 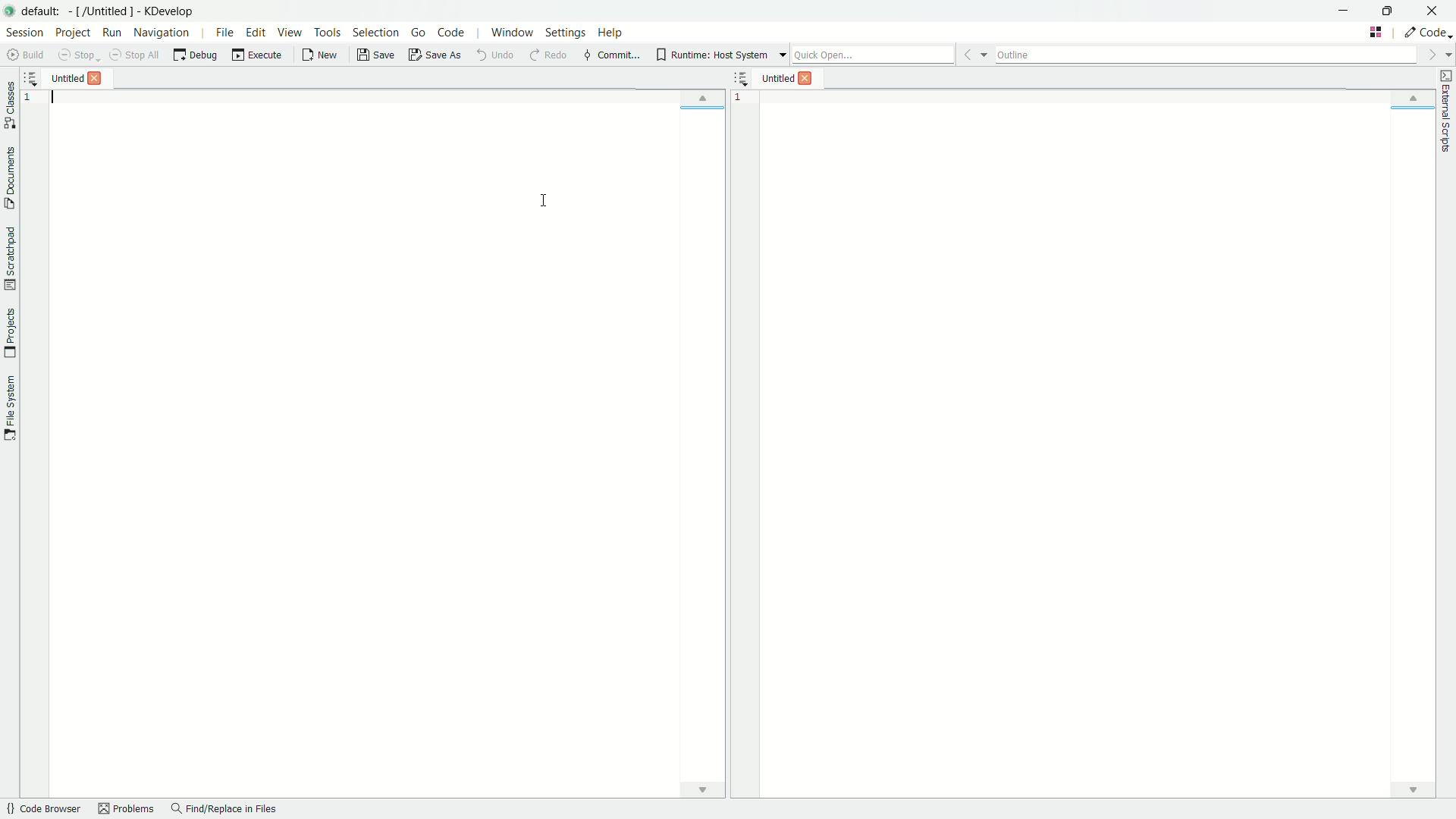 I want to click on navigation menu, so click(x=162, y=33).